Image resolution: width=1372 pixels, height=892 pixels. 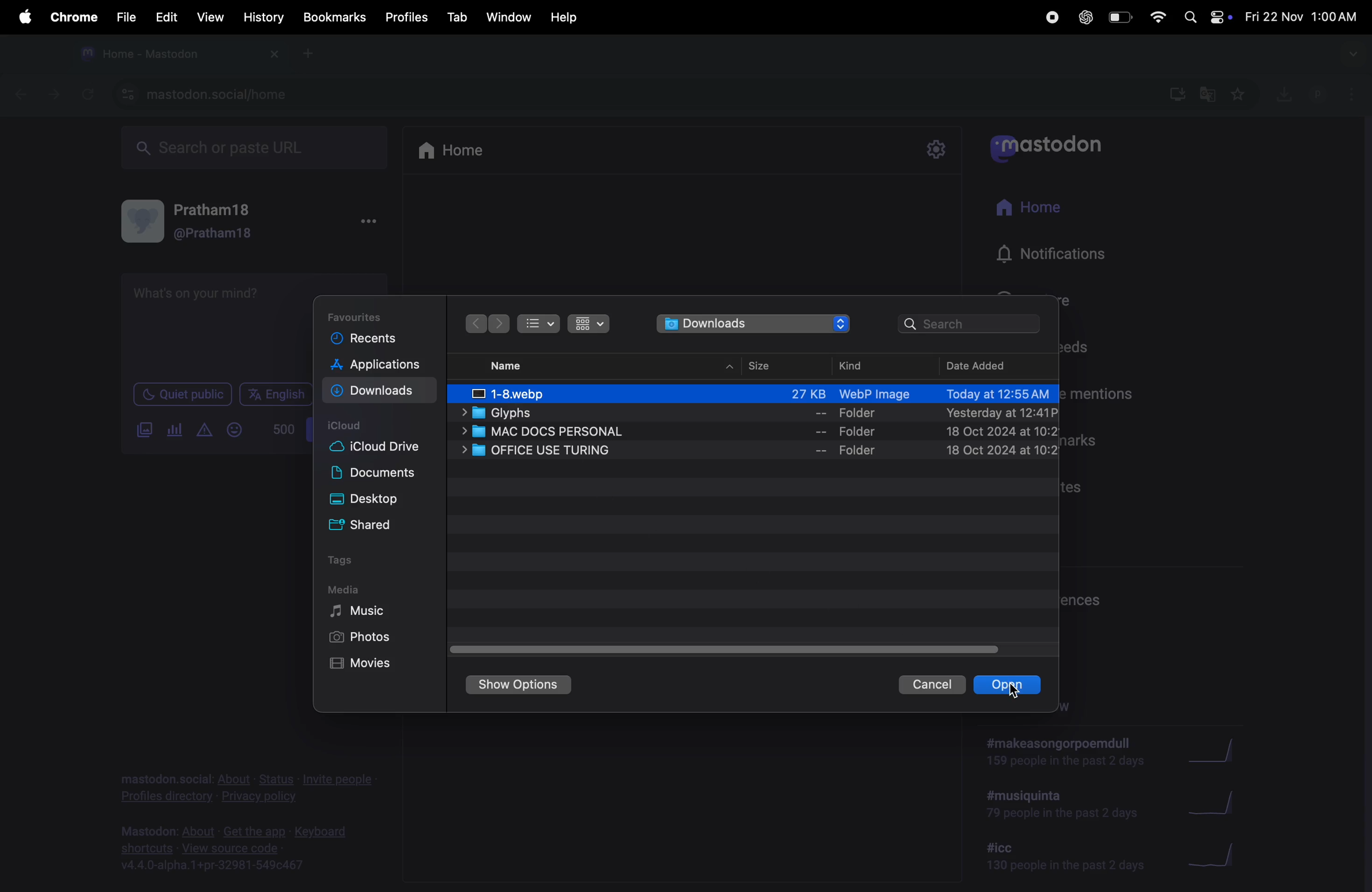 What do you see at coordinates (1312, 95) in the screenshot?
I see `profile` at bounding box center [1312, 95].